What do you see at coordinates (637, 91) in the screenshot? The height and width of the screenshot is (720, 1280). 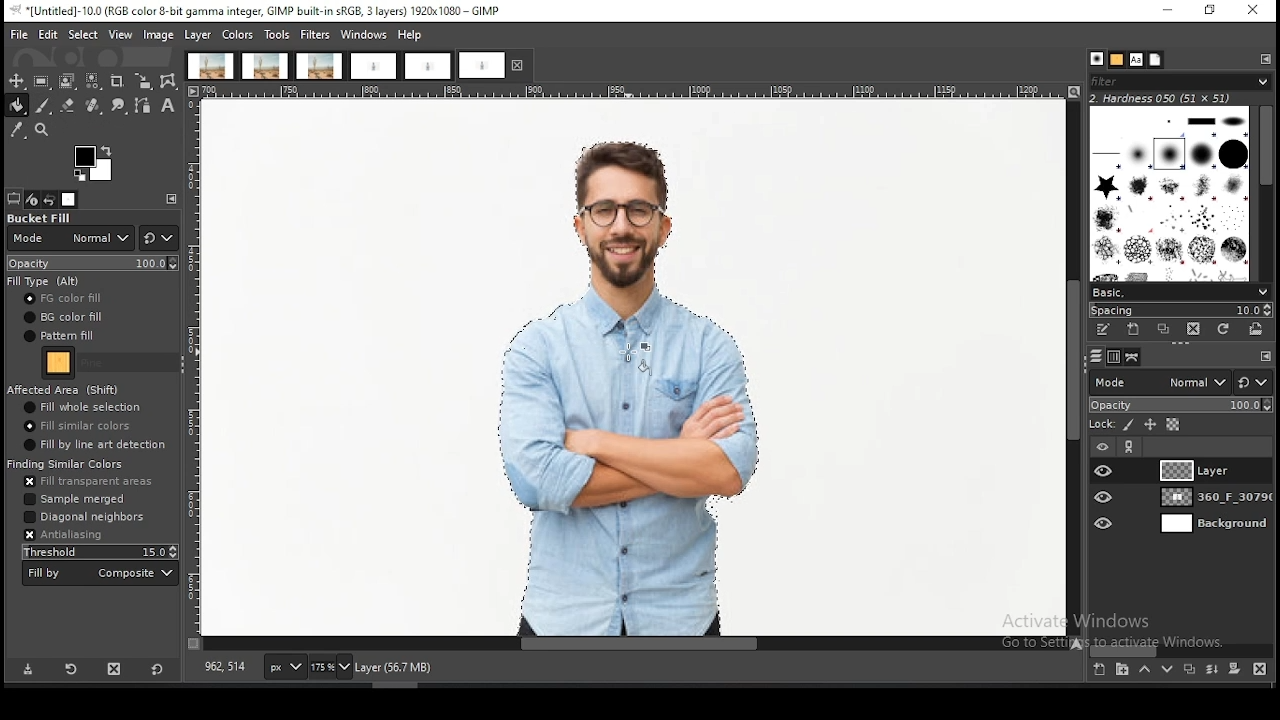 I see `scale` at bounding box center [637, 91].